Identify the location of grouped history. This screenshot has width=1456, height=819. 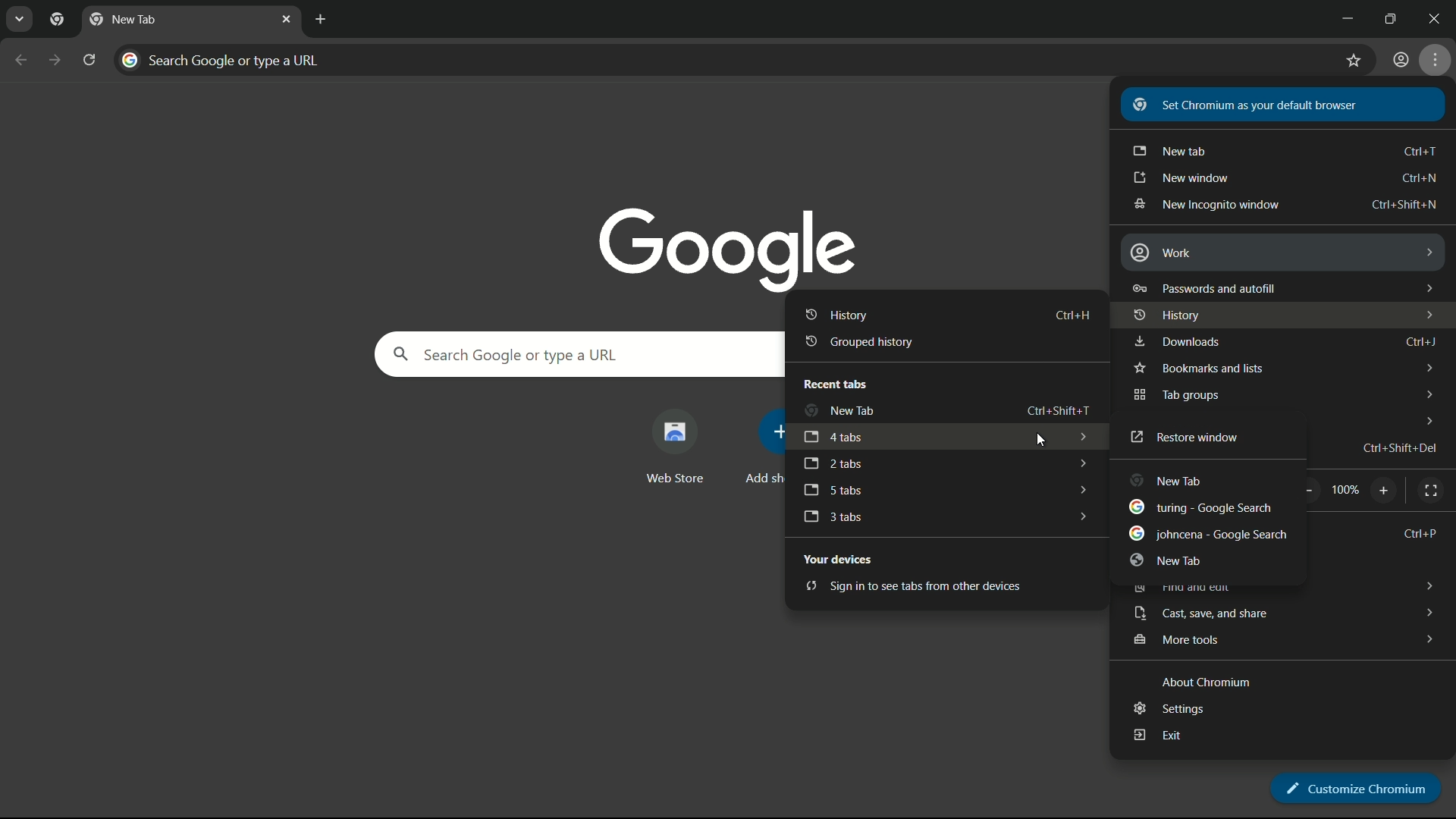
(855, 340).